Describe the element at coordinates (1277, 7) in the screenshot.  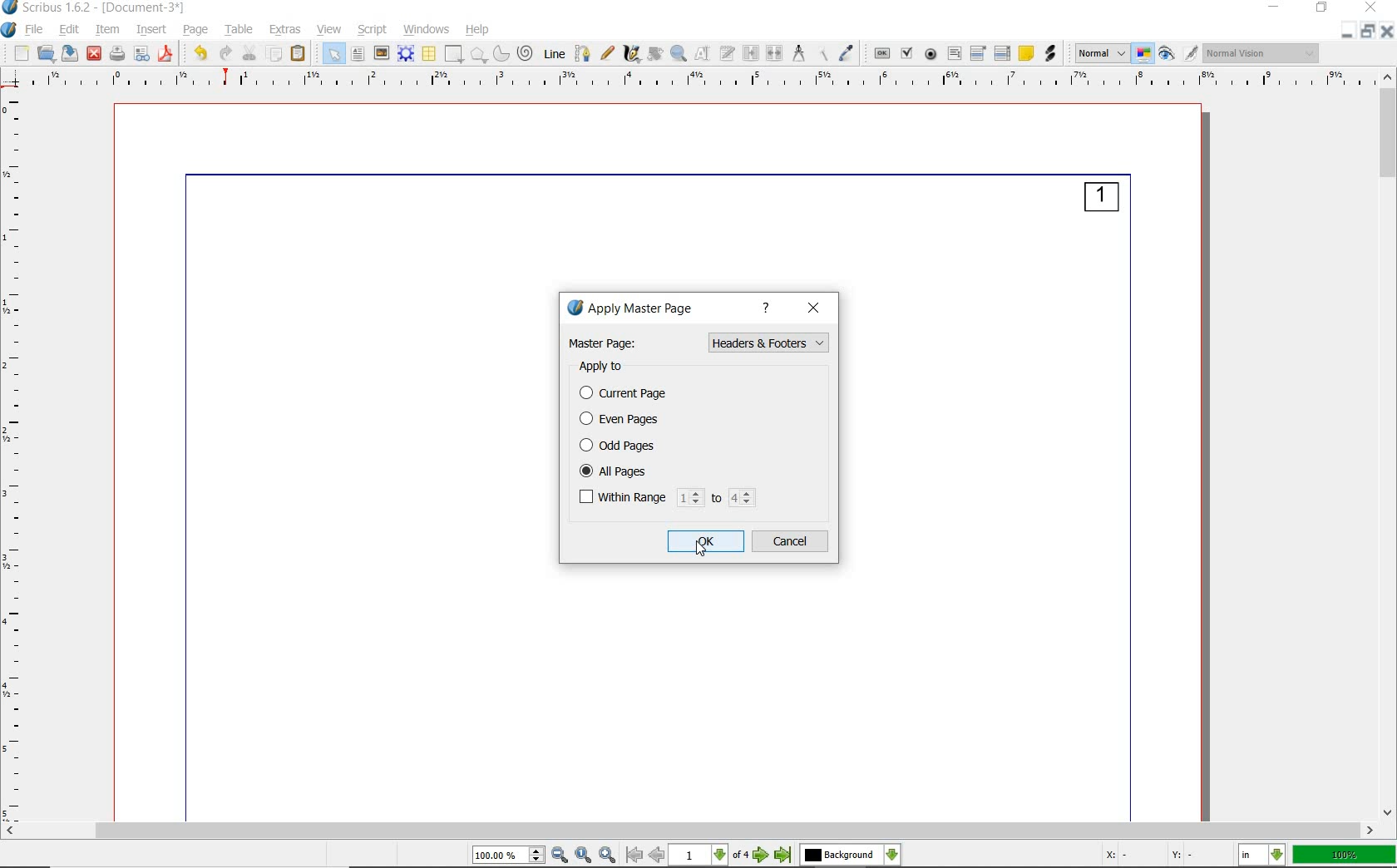
I see `minimize` at that location.